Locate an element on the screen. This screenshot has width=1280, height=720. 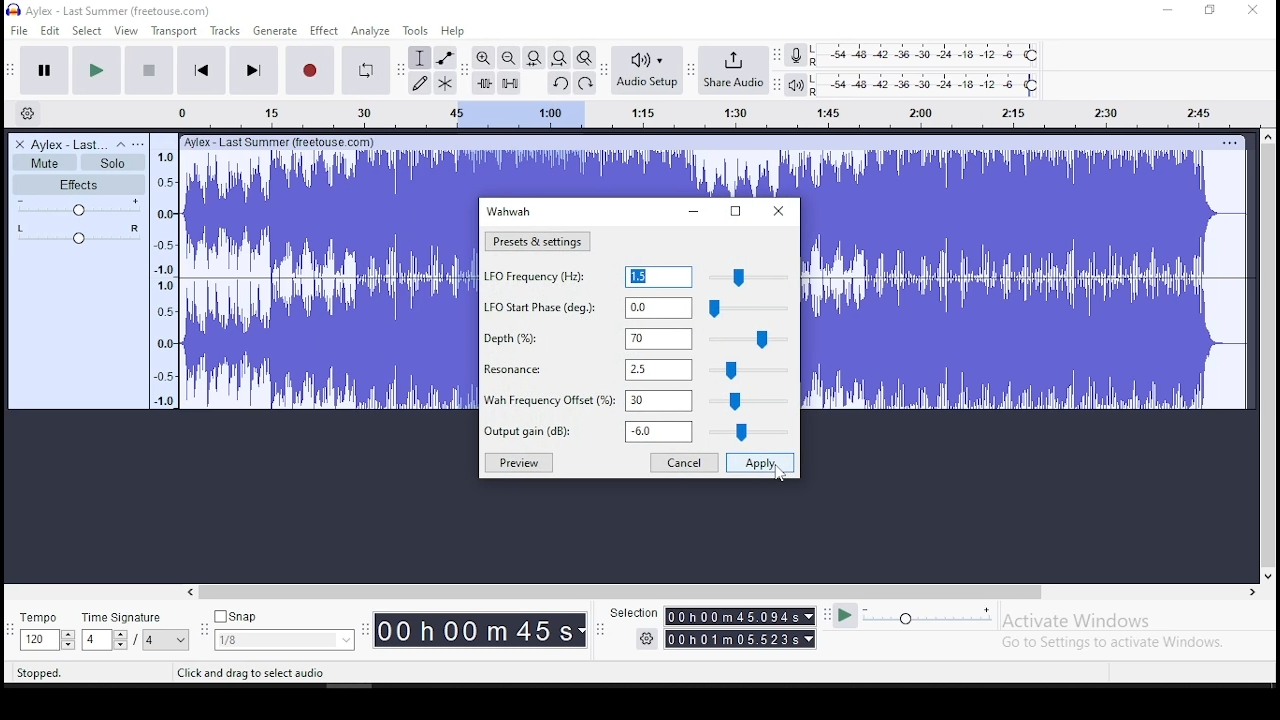
select is located at coordinates (88, 31).